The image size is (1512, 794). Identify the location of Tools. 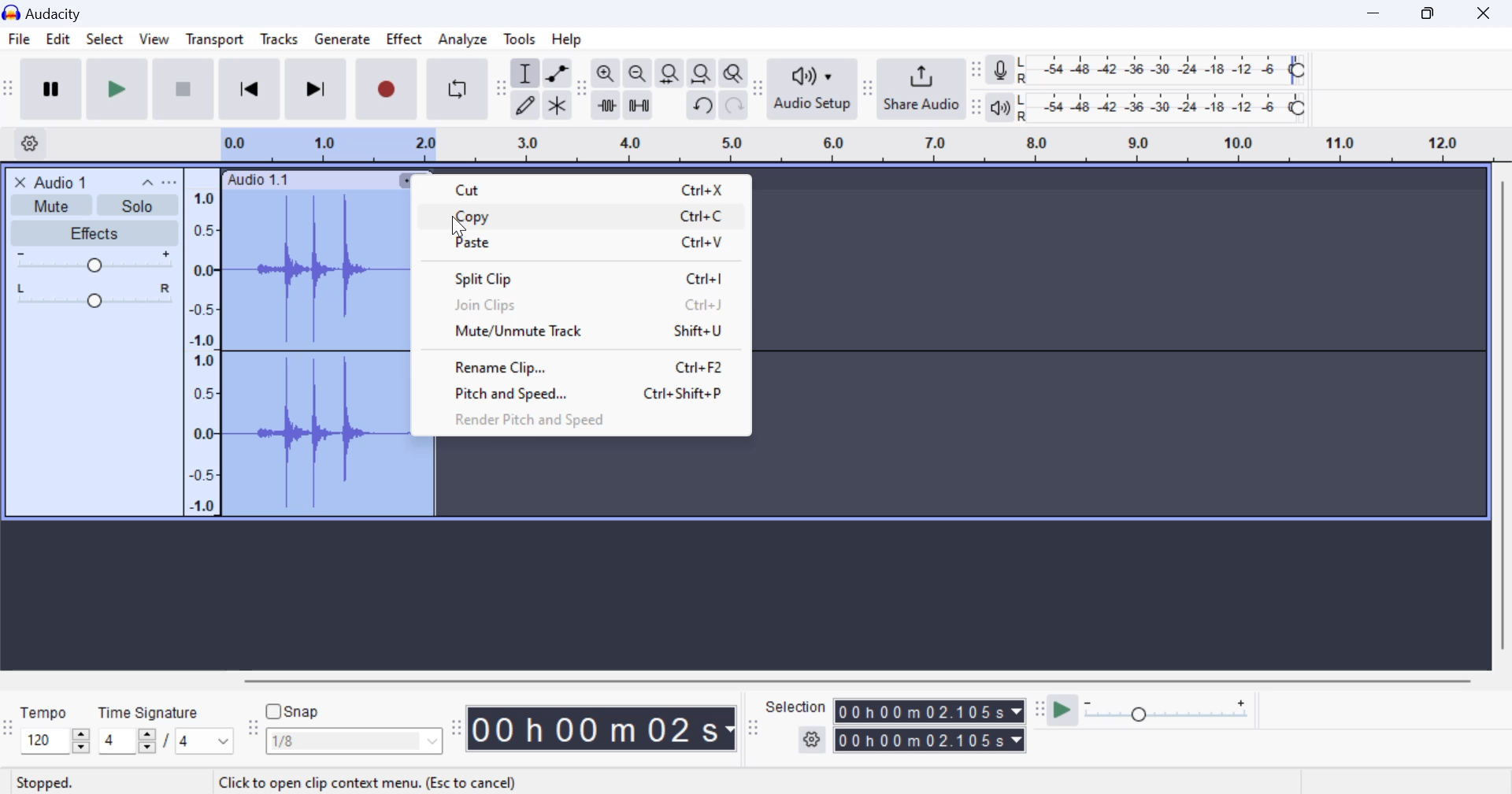
(521, 38).